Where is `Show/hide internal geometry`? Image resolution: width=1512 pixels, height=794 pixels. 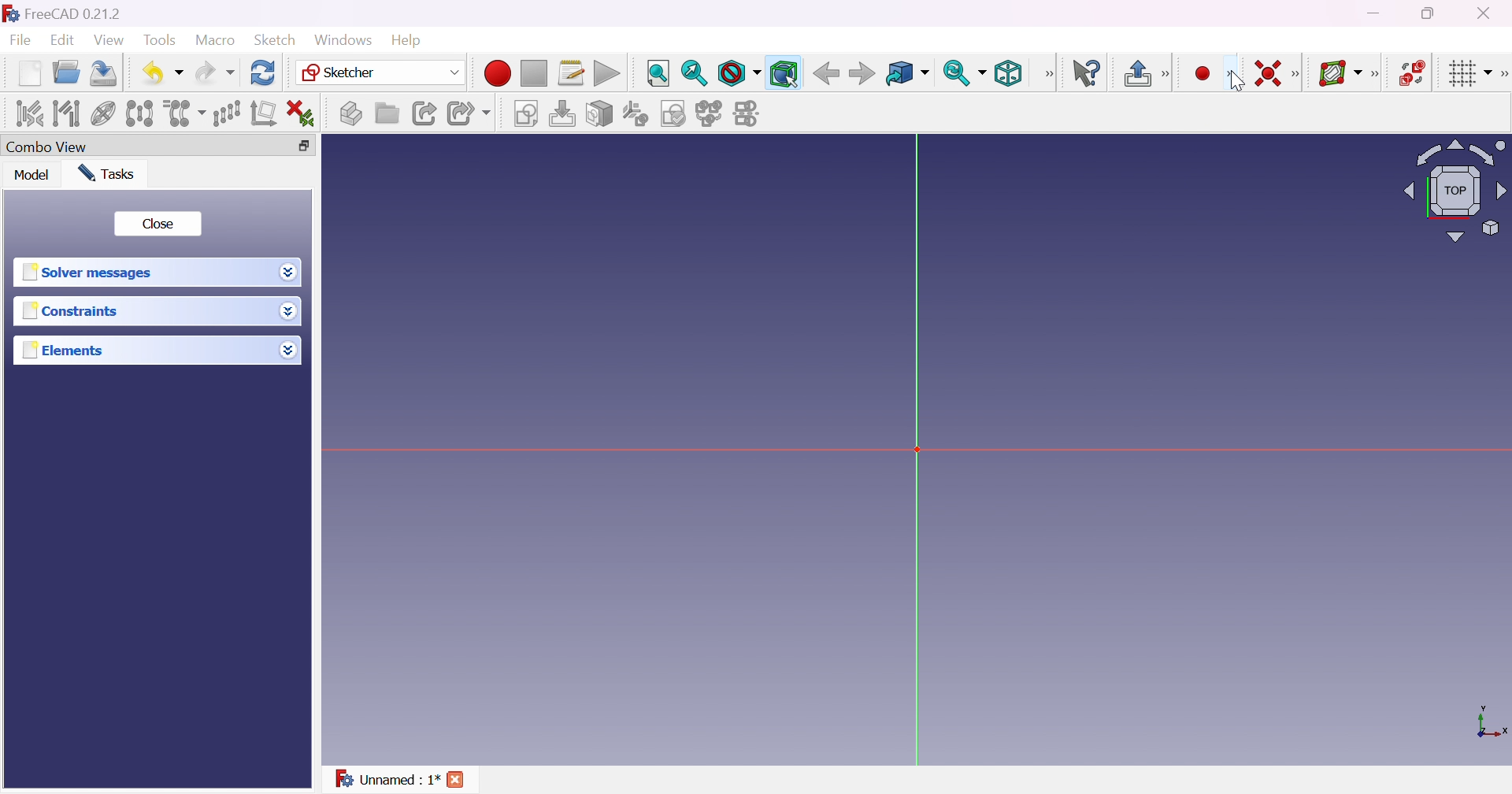 Show/hide internal geometry is located at coordinates (103, 113).